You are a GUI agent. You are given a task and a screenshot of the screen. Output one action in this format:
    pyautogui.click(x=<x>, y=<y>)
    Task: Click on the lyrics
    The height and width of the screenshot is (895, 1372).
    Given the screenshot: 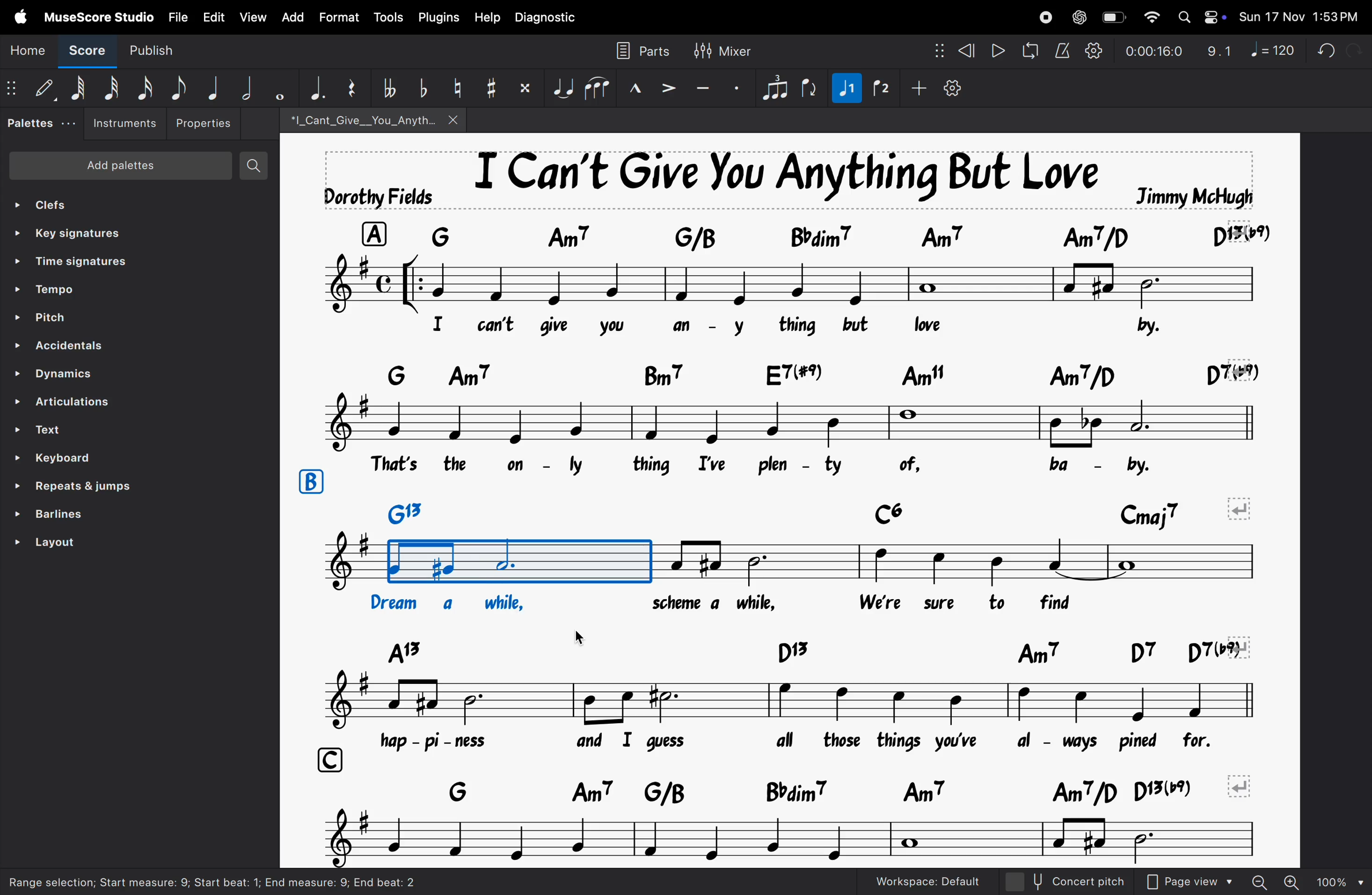 What is the action you would take?
    pyautogui.click(x=800, y=742)
    